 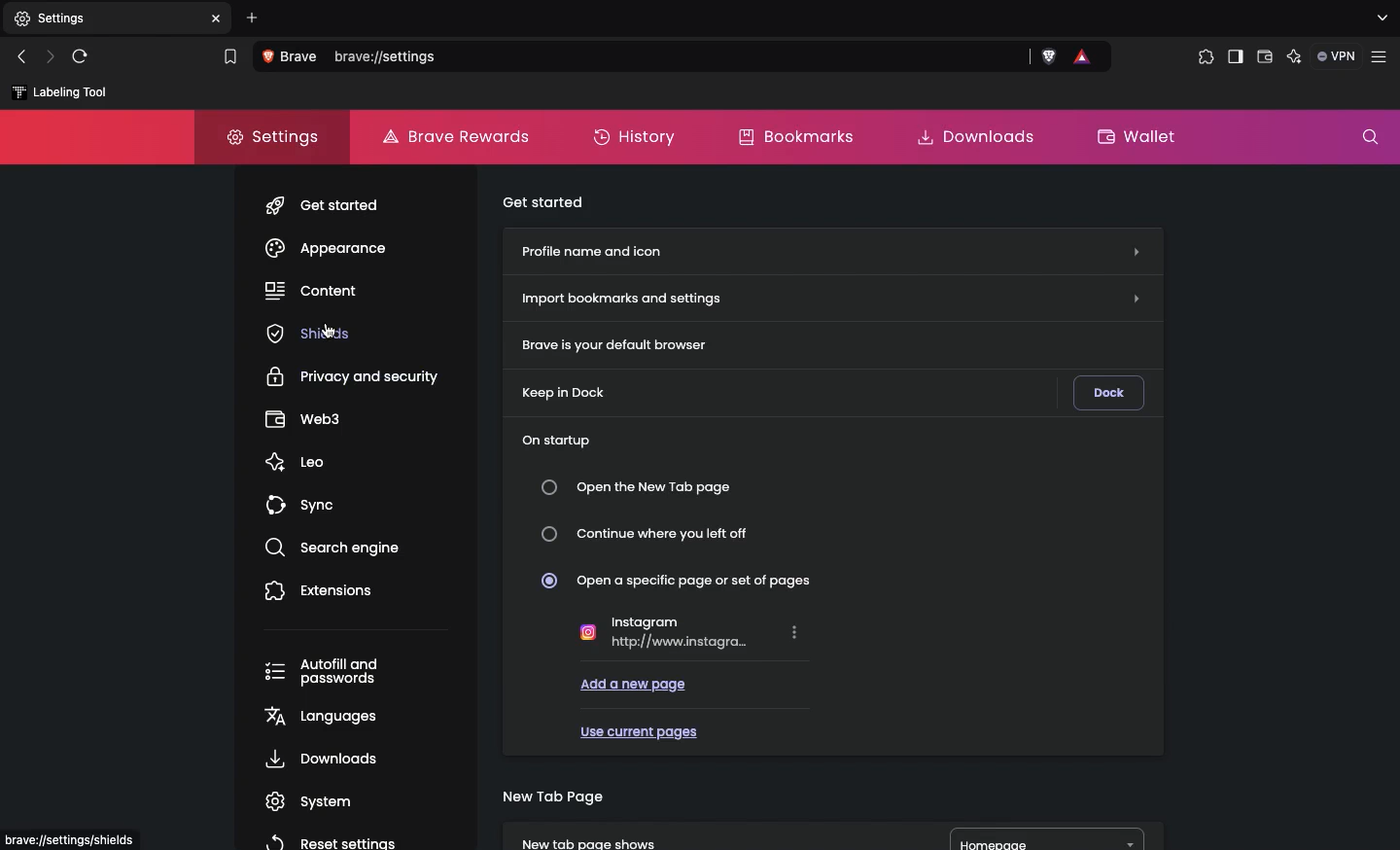 I want to click on Downloads, so click(x=980, y=139).